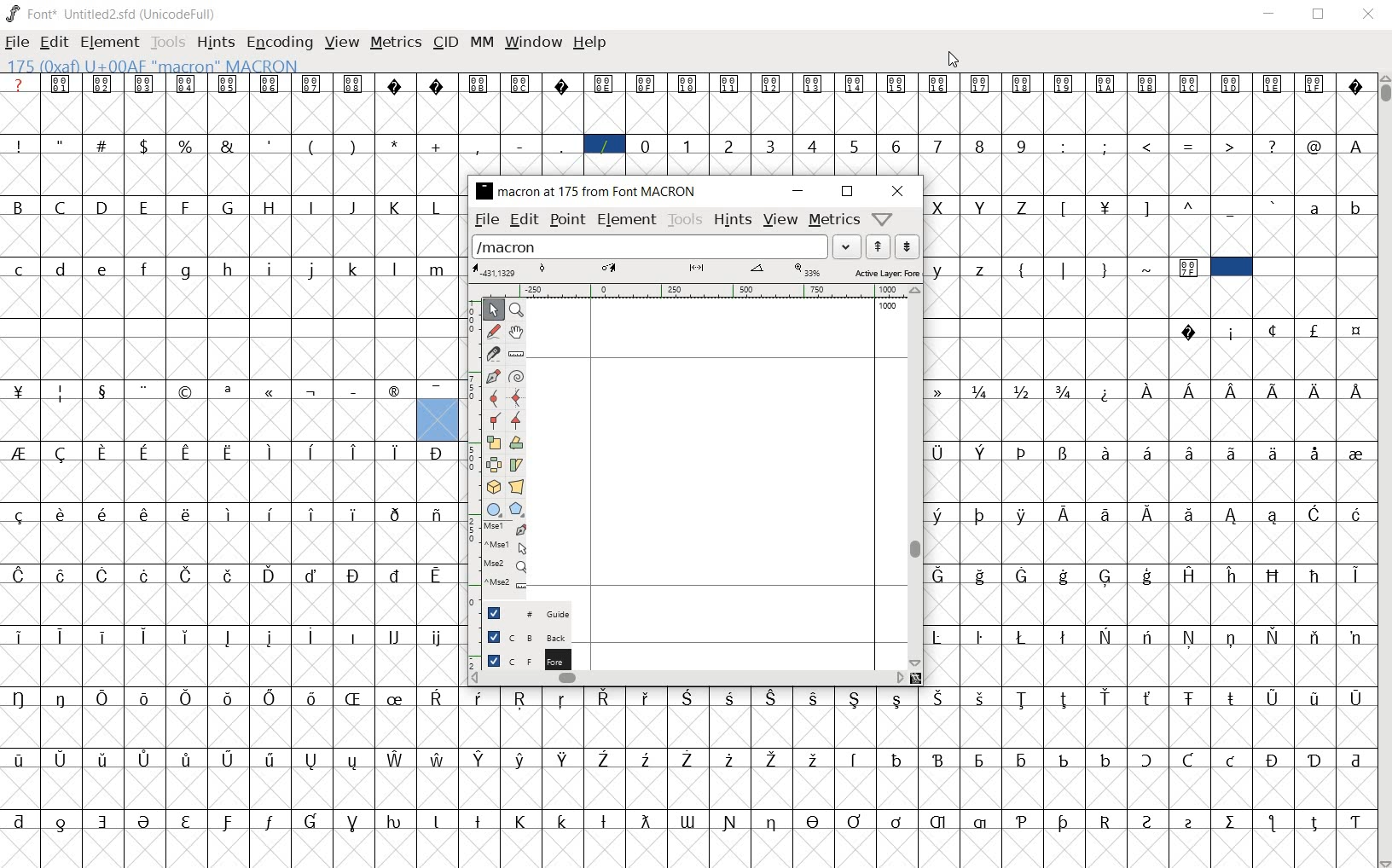 The width and height of the screenshot is (1392, 868). Describe the element at coordinates (1273, 575) in the screenshot. I see `Symbol` at that location.